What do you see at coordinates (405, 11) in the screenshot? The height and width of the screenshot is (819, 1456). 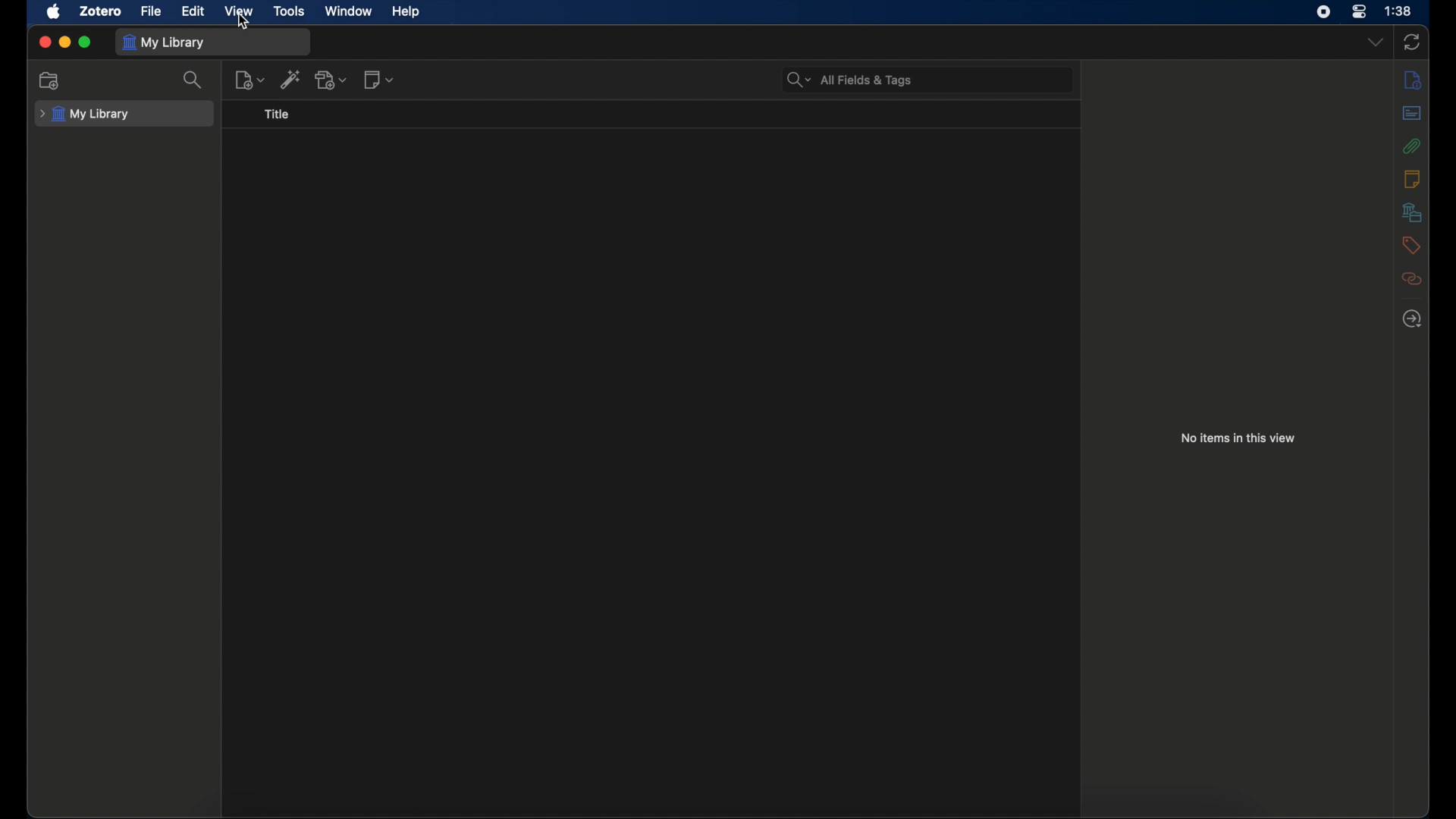 I see `help` at bounding box center [405, 11].